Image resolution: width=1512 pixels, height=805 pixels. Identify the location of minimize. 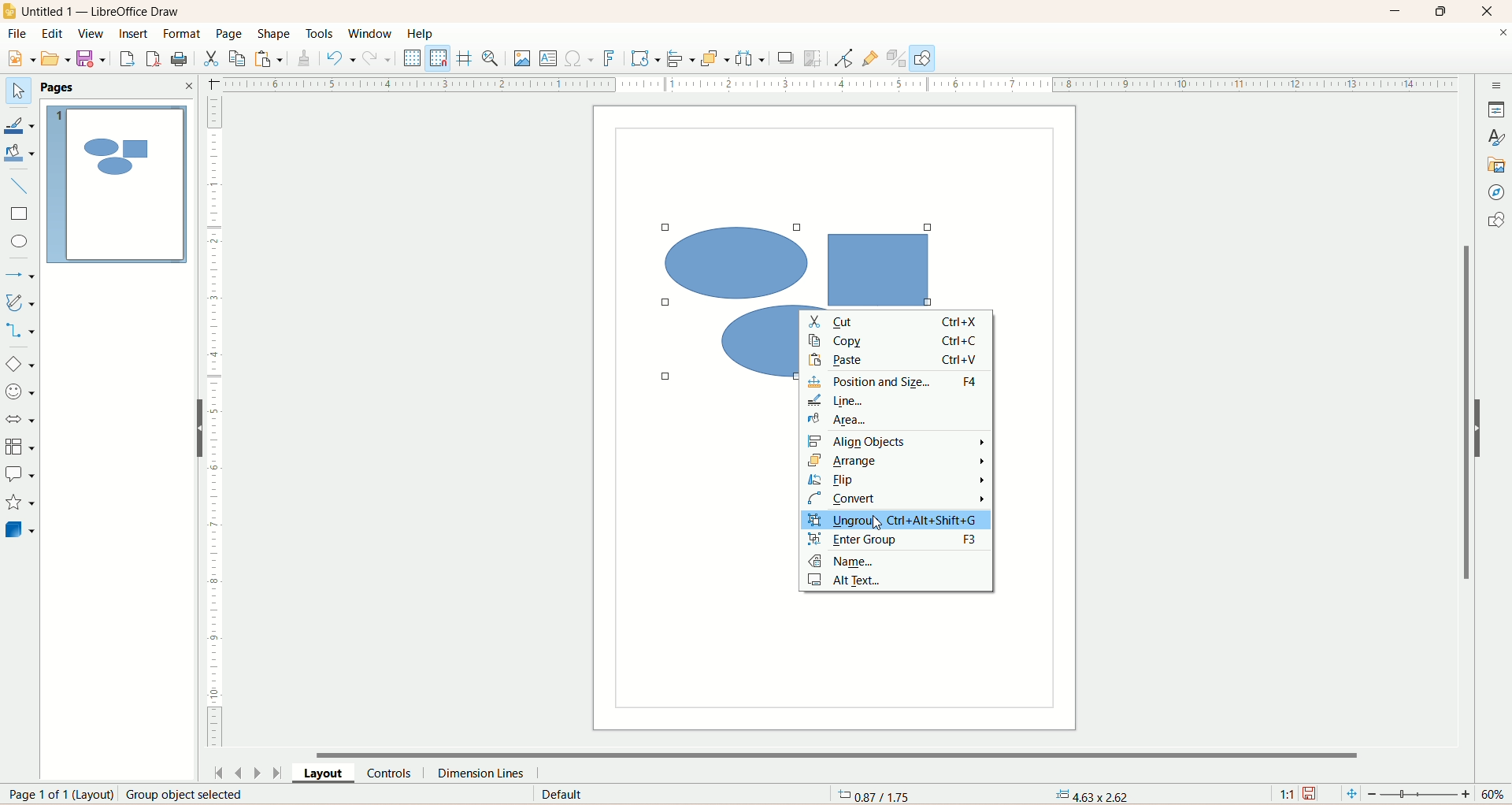
(1398, 11).